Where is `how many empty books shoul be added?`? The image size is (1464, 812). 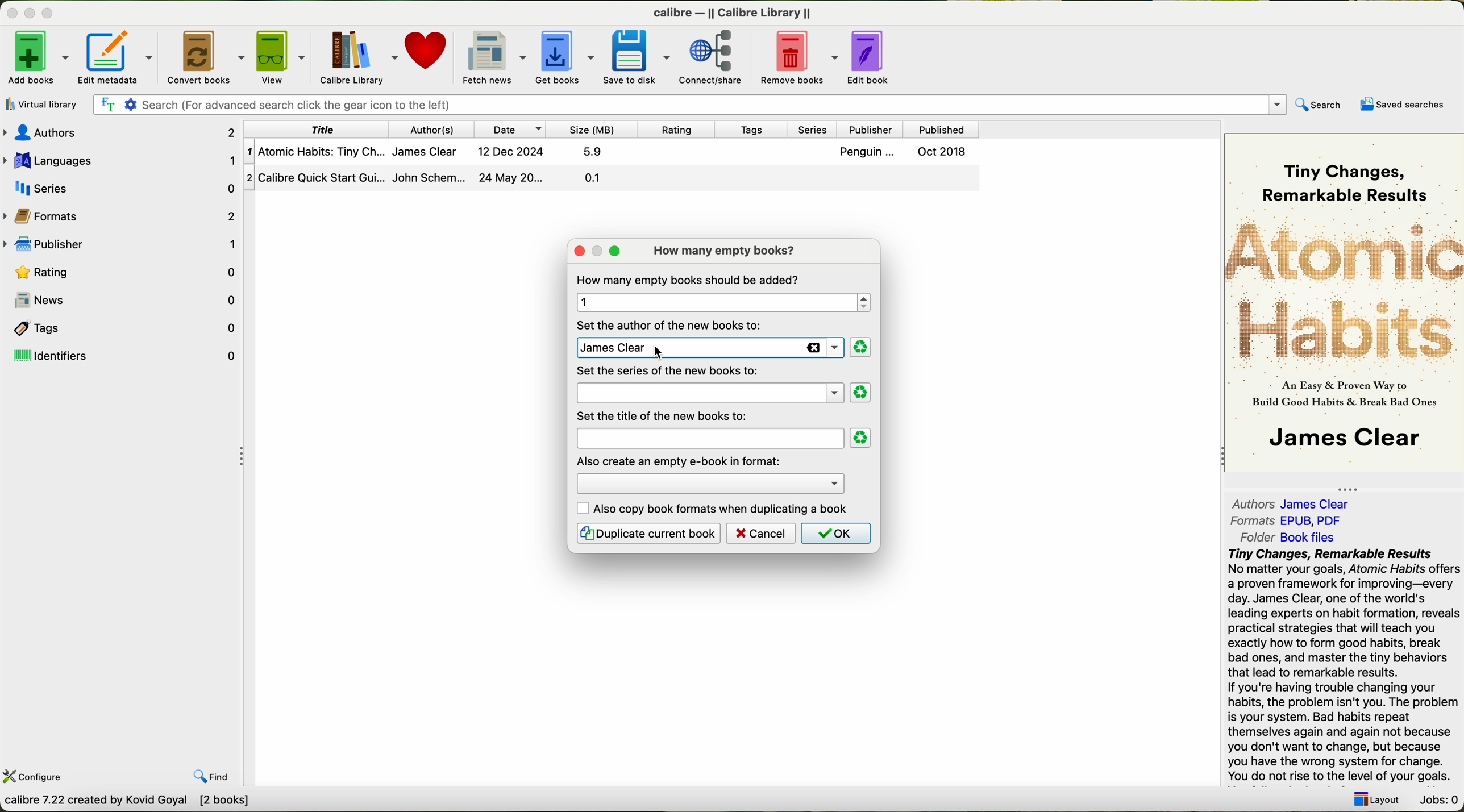 how many empty books shoul be added? is located at coordinates (690, 280).